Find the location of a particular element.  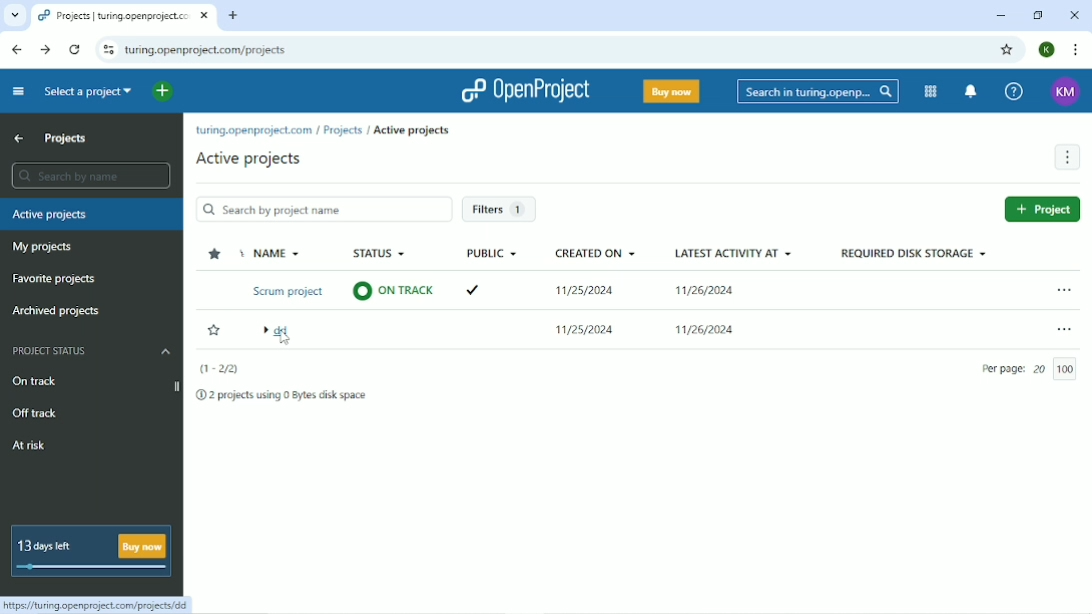

OpenProject is located at coordinates (526, 90).